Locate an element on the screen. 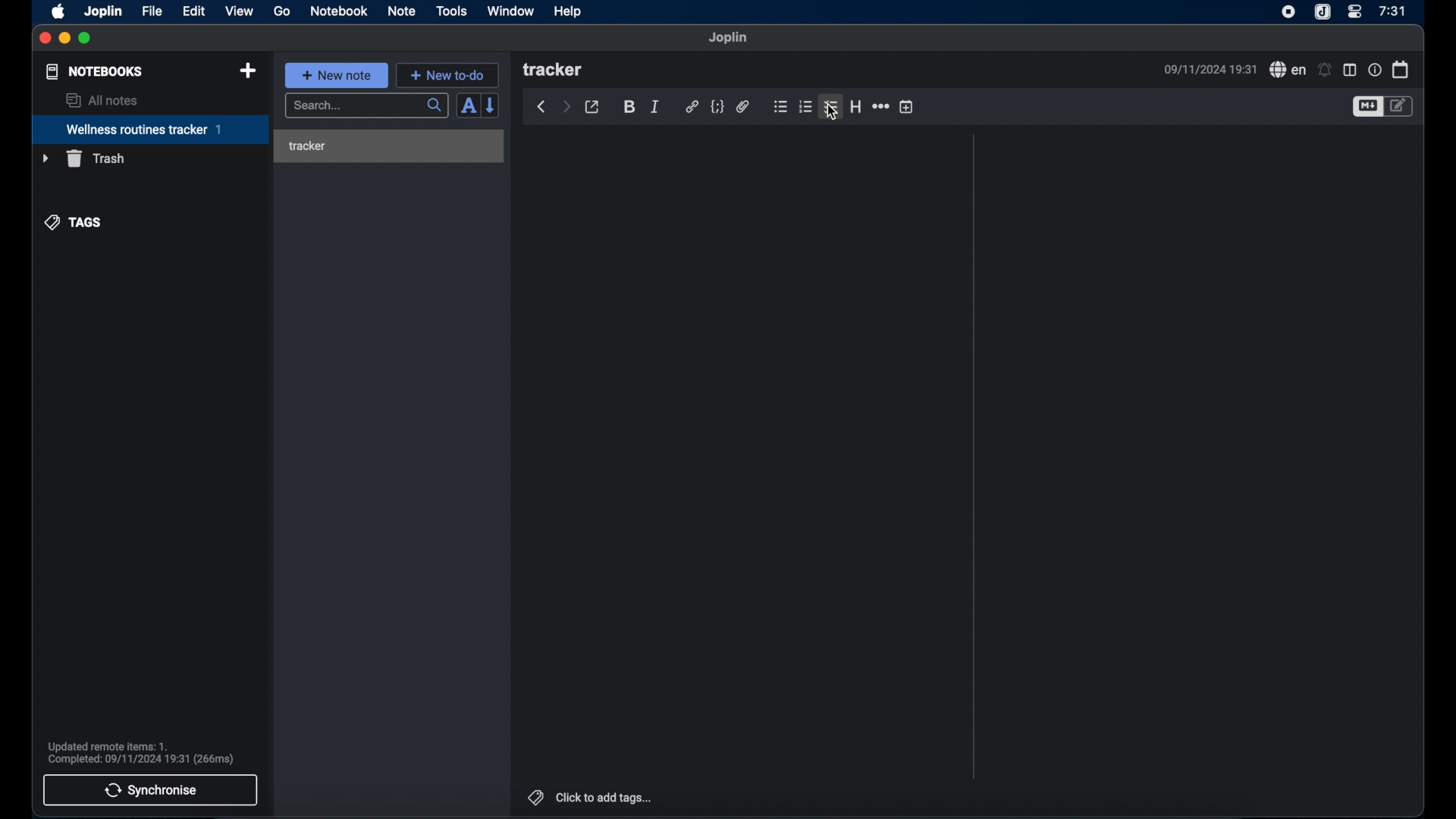  Scroll bar is located at coordinates (973, 457).